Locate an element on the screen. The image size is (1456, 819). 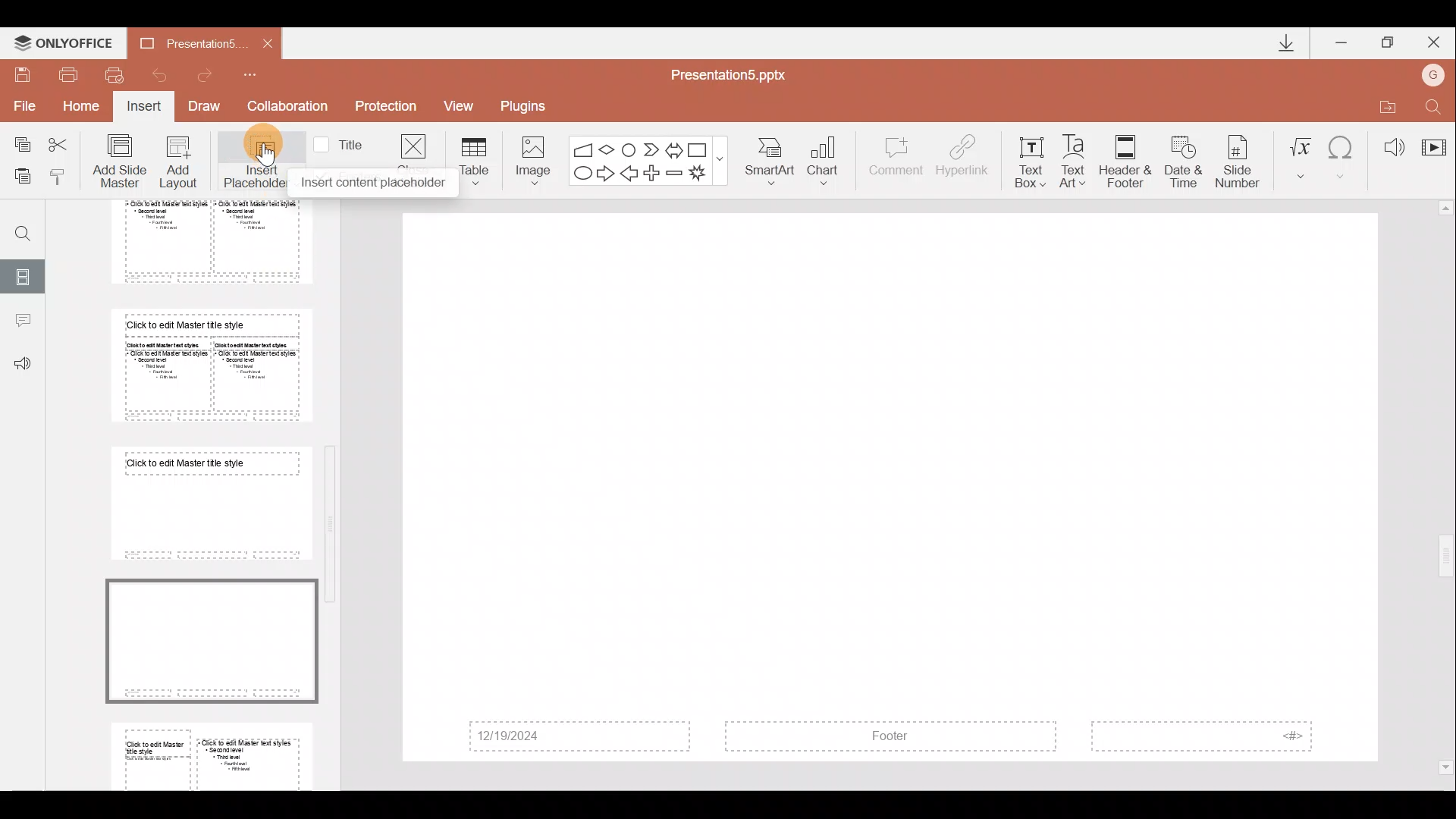
Undo is located at coordinates (158, 74).